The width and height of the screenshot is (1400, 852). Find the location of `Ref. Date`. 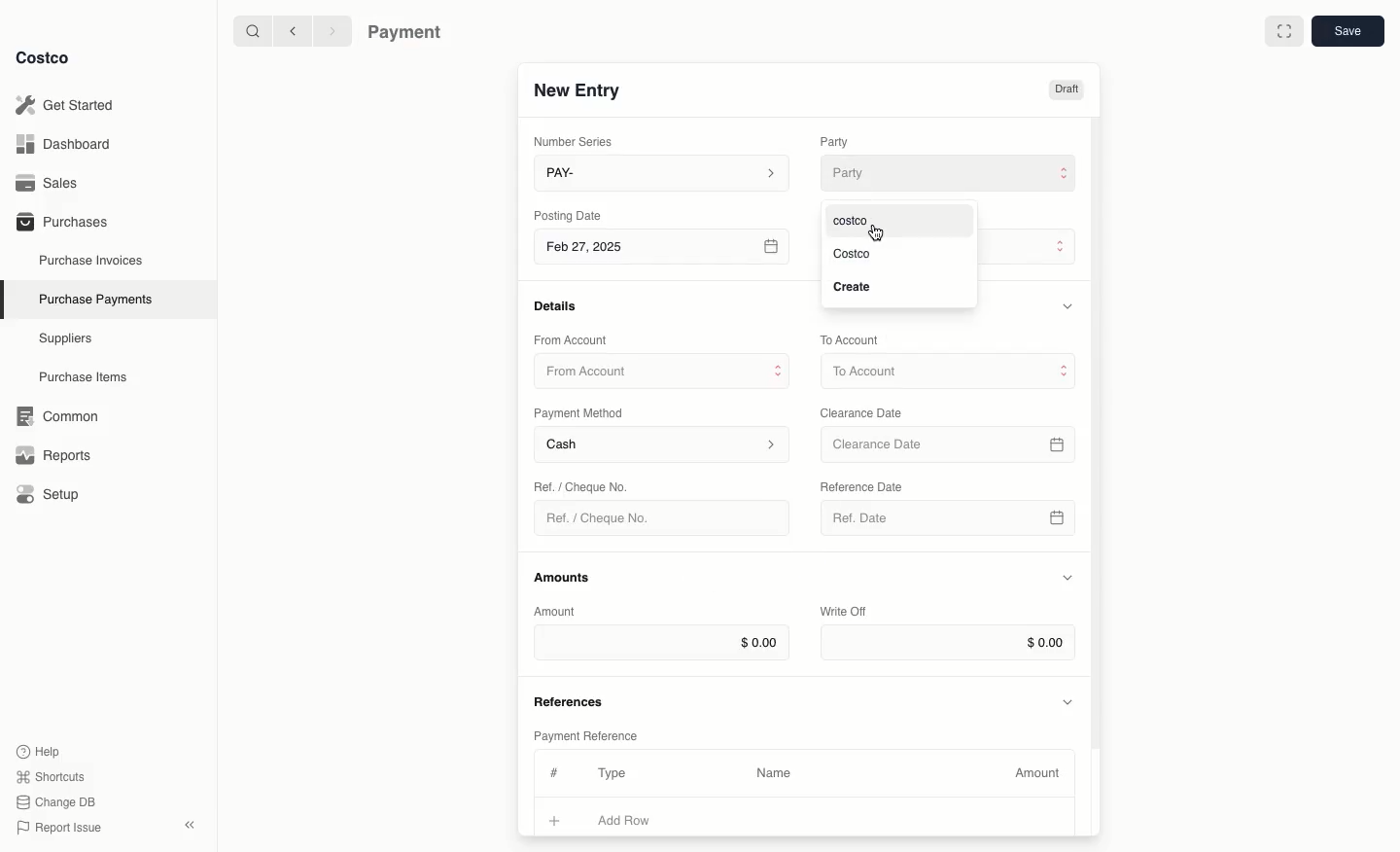

Ref. Date is located at coordinates (947, 523).